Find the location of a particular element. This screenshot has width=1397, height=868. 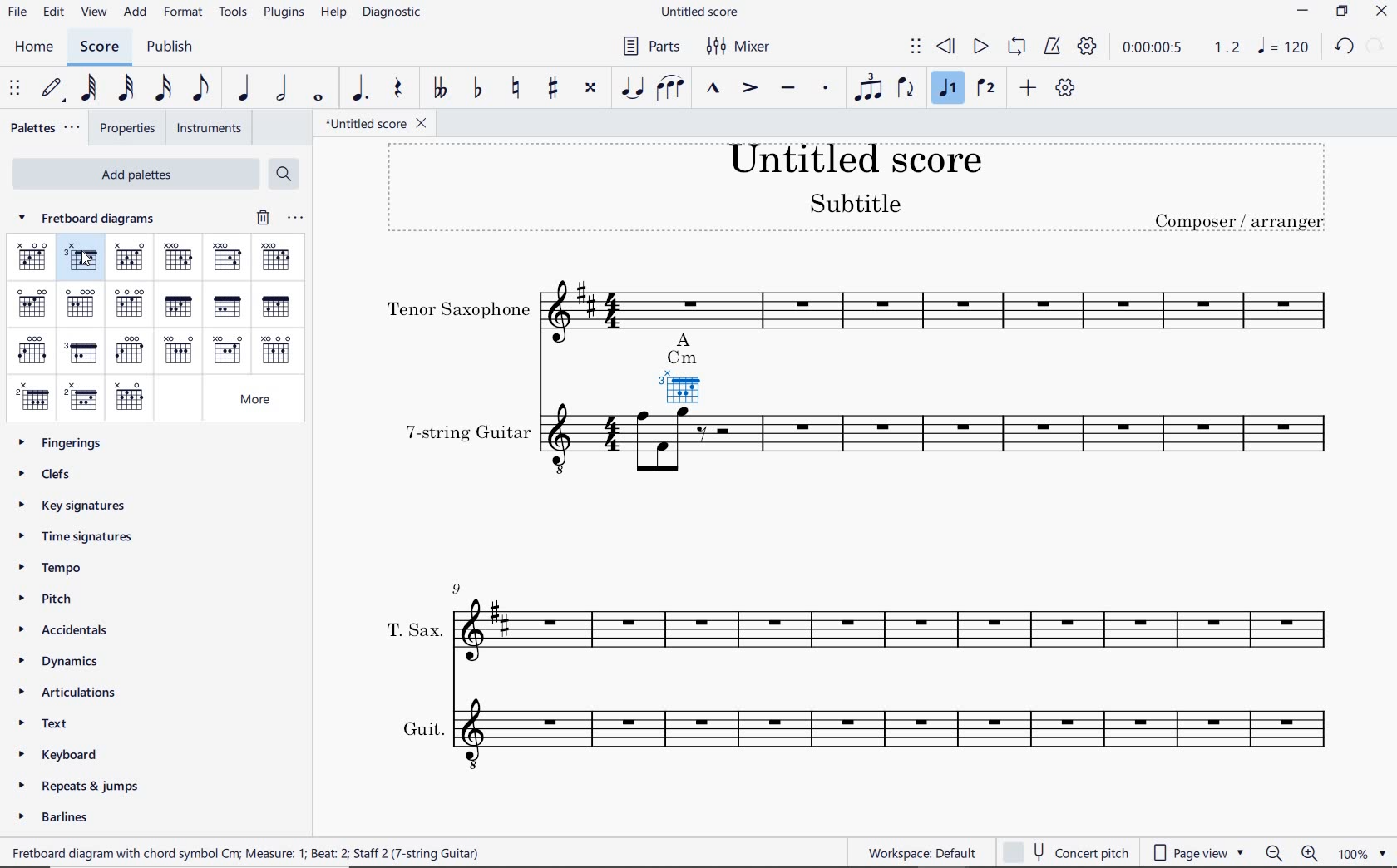

cursor is located at coordinates (86, 258).